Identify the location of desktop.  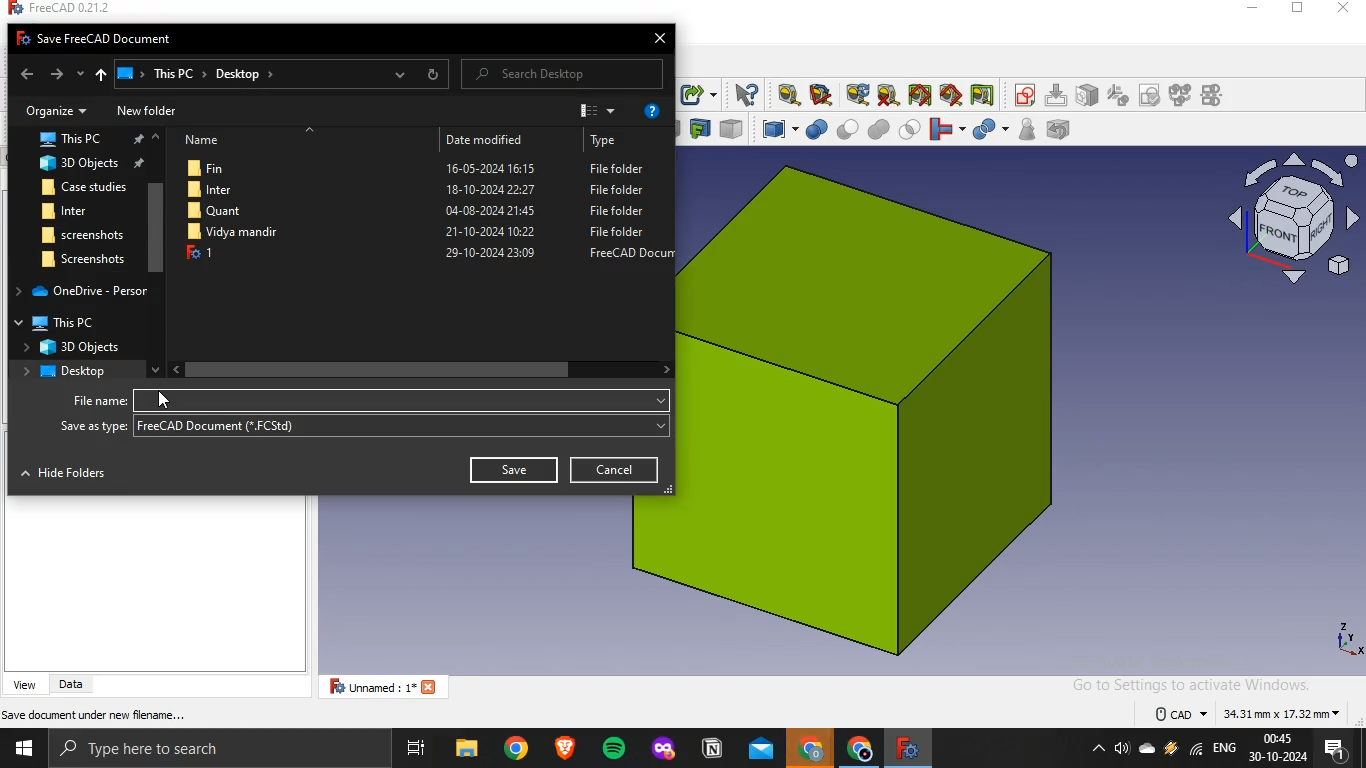
(75, 371).